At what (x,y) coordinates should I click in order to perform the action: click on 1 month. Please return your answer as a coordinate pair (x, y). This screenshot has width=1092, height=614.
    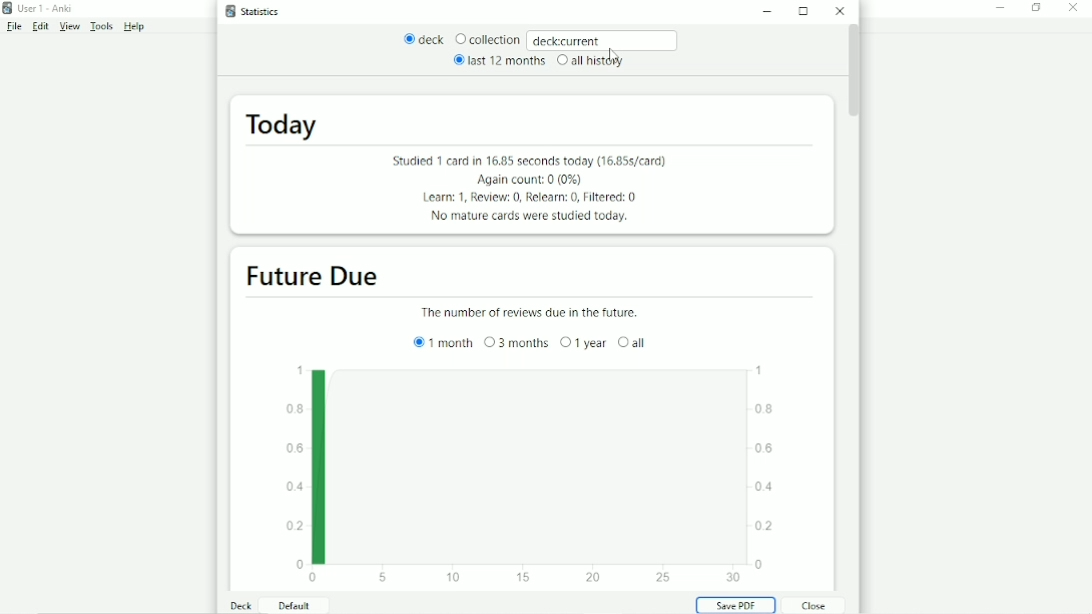
    Looking at the image, I should click on (438, 342).